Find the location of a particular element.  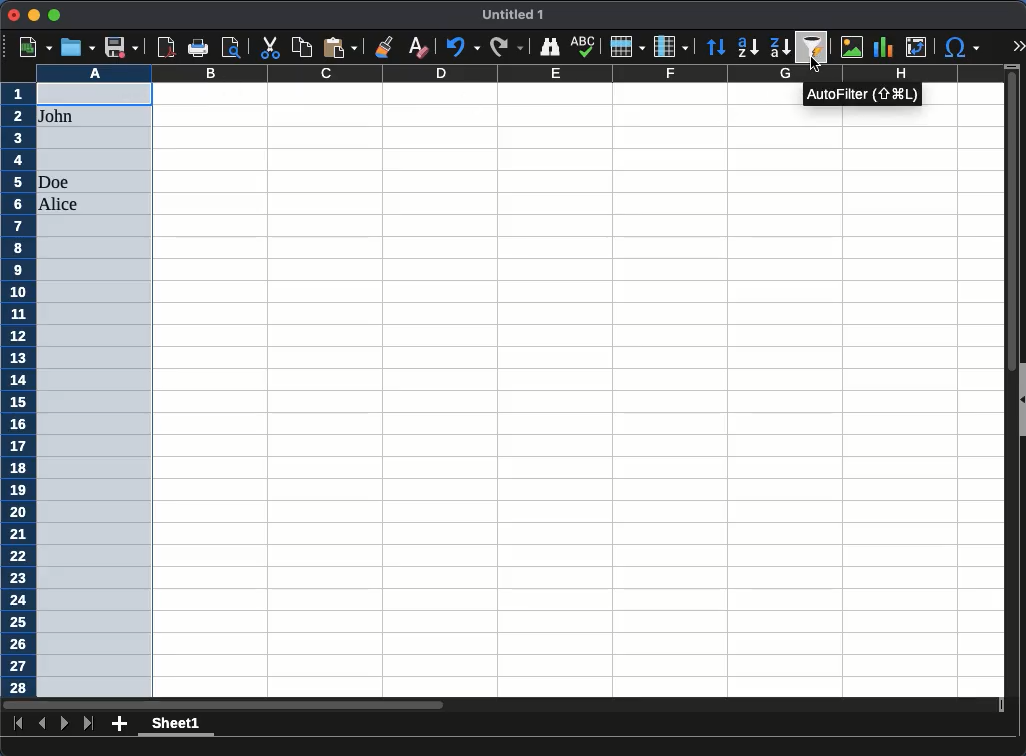

finder is located at coordinates (549, 48).